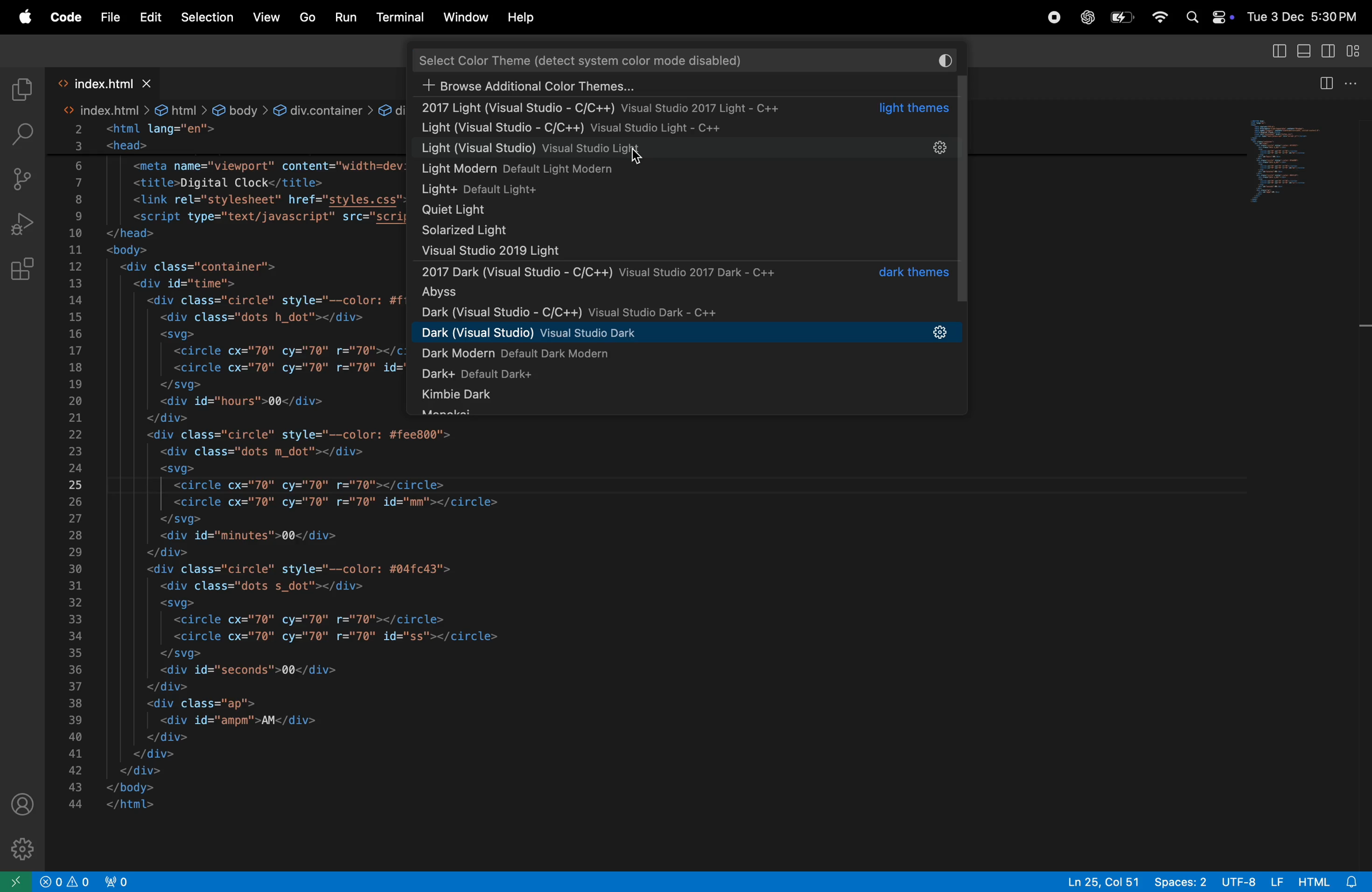 This screenshot has height=892, width=1372. Describe the element at coordinates (1279, 51) in the screenshot. I see `toggle primary sidebar` at that location.